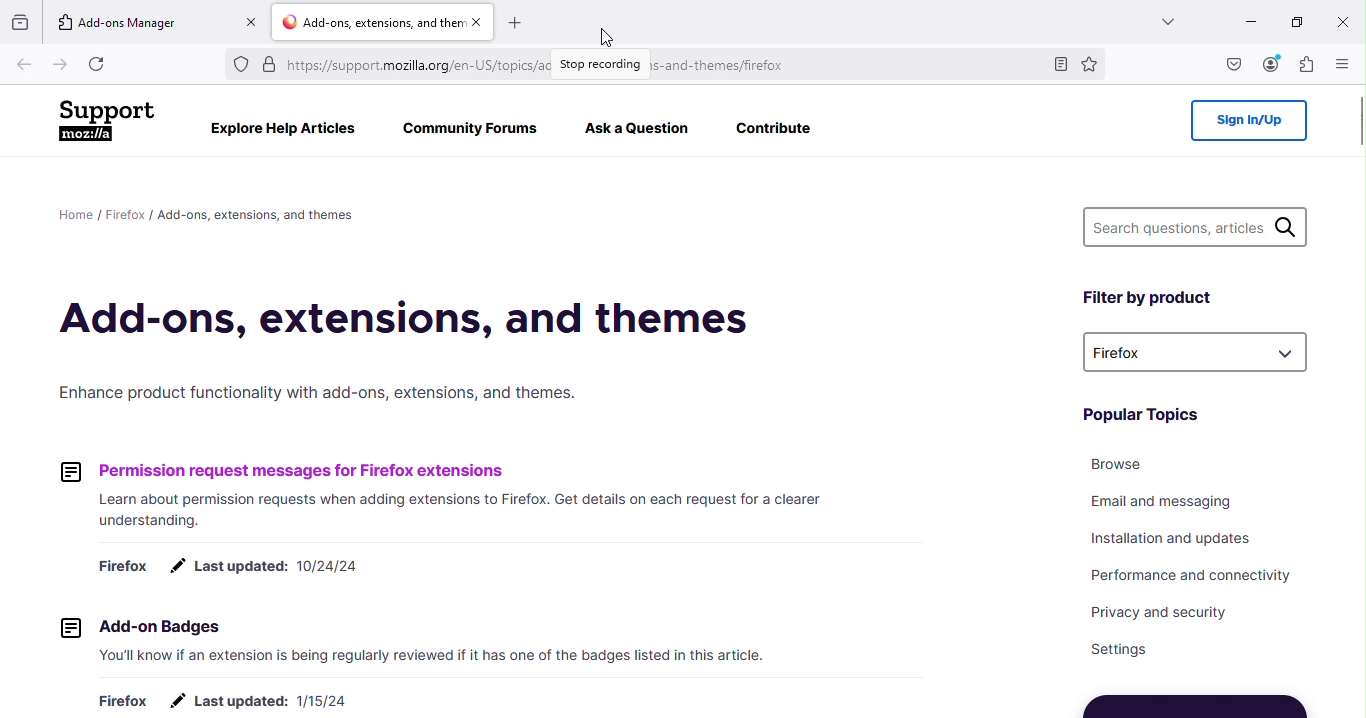 The image size is (1366, 718). What do you see at coordinates (1157, 611) in the screenshot?
I see `Privacy and security` at bounding box center [1157, 611].